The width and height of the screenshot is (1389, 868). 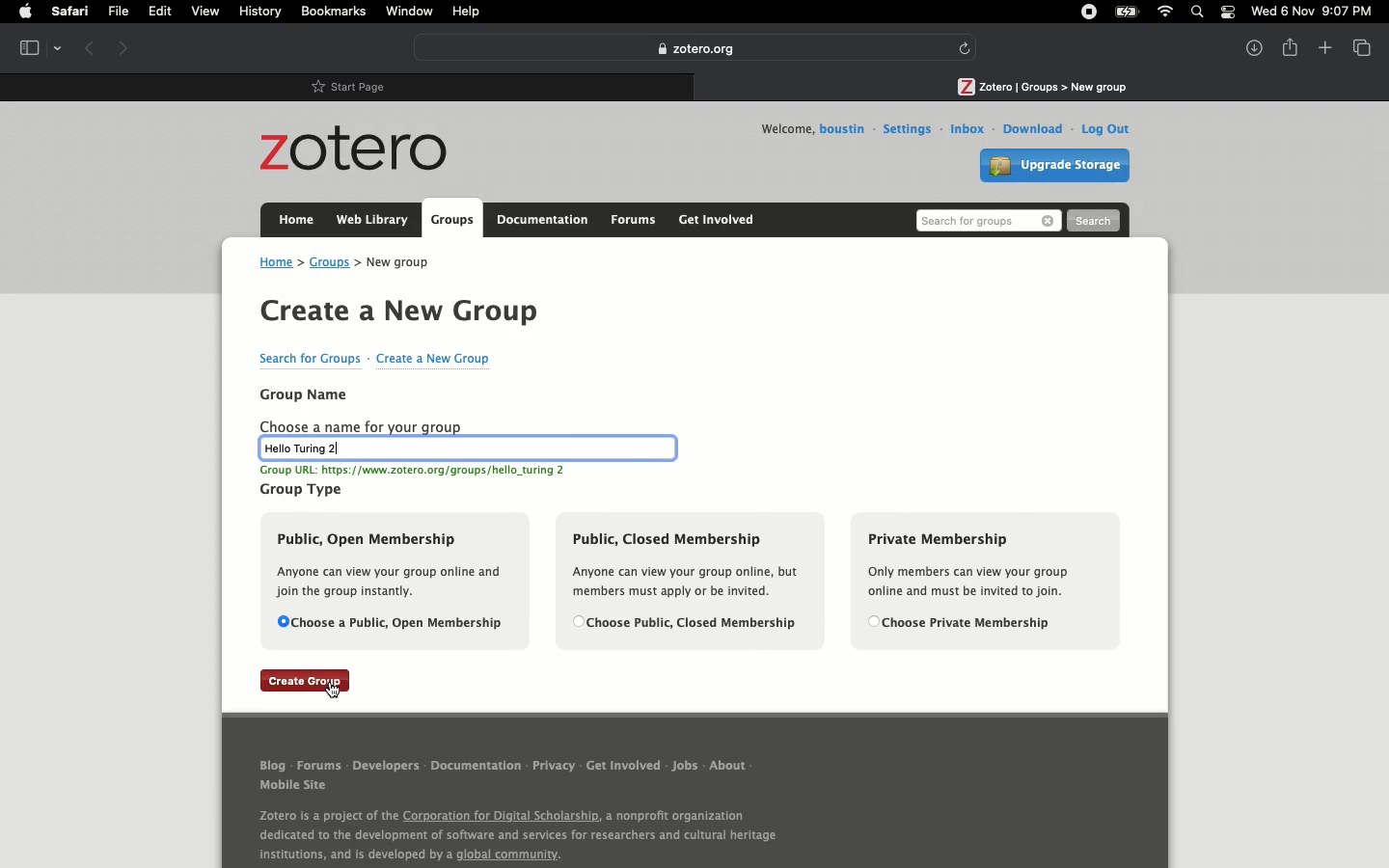 What do you see at coordinates (39, 46) in the screenshot?
I see `Tab view` at bounding box center [39, 46].